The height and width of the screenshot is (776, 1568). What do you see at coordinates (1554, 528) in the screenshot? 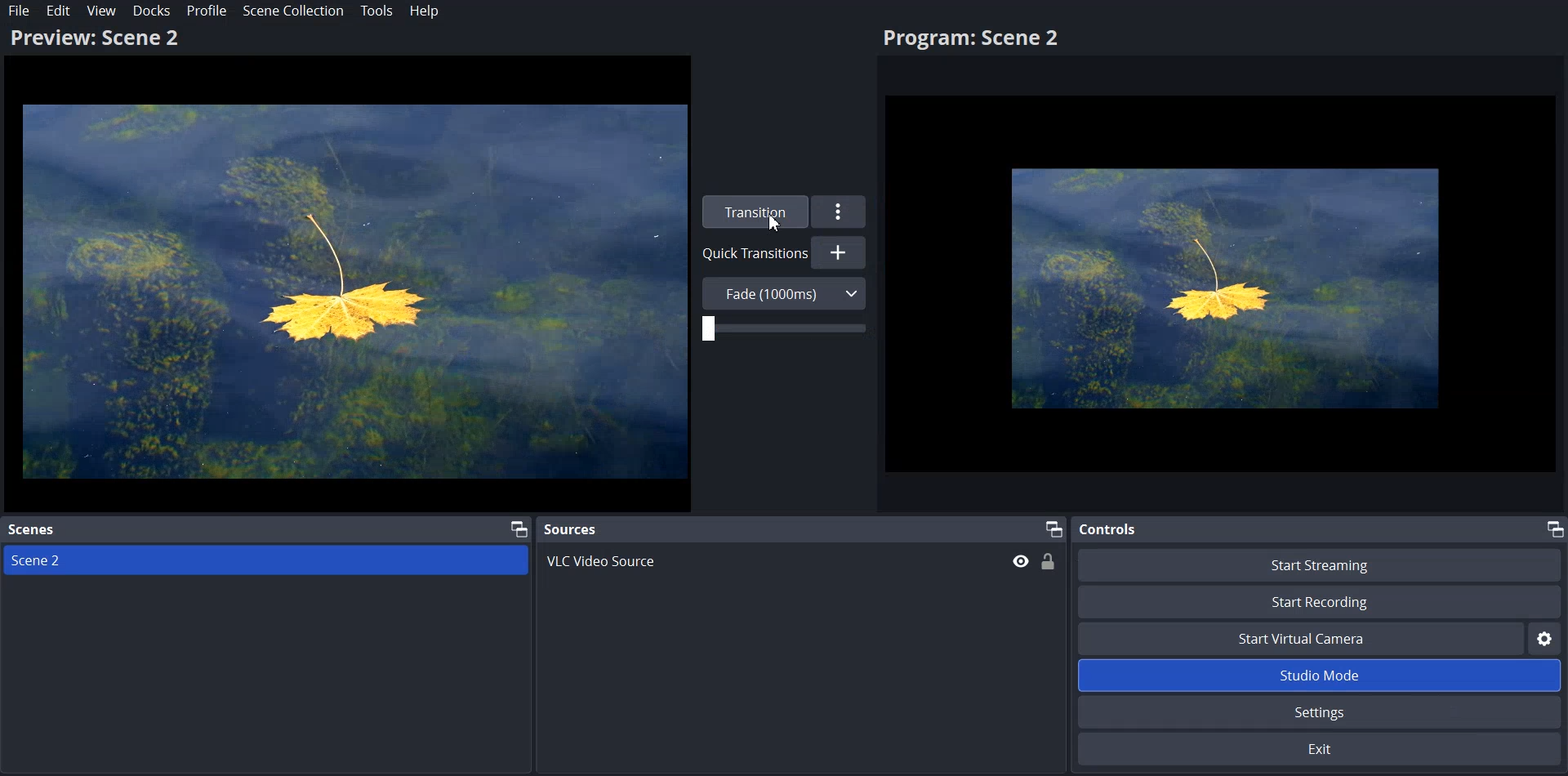
I see `Maximize` at bounding box center [1554, 528].